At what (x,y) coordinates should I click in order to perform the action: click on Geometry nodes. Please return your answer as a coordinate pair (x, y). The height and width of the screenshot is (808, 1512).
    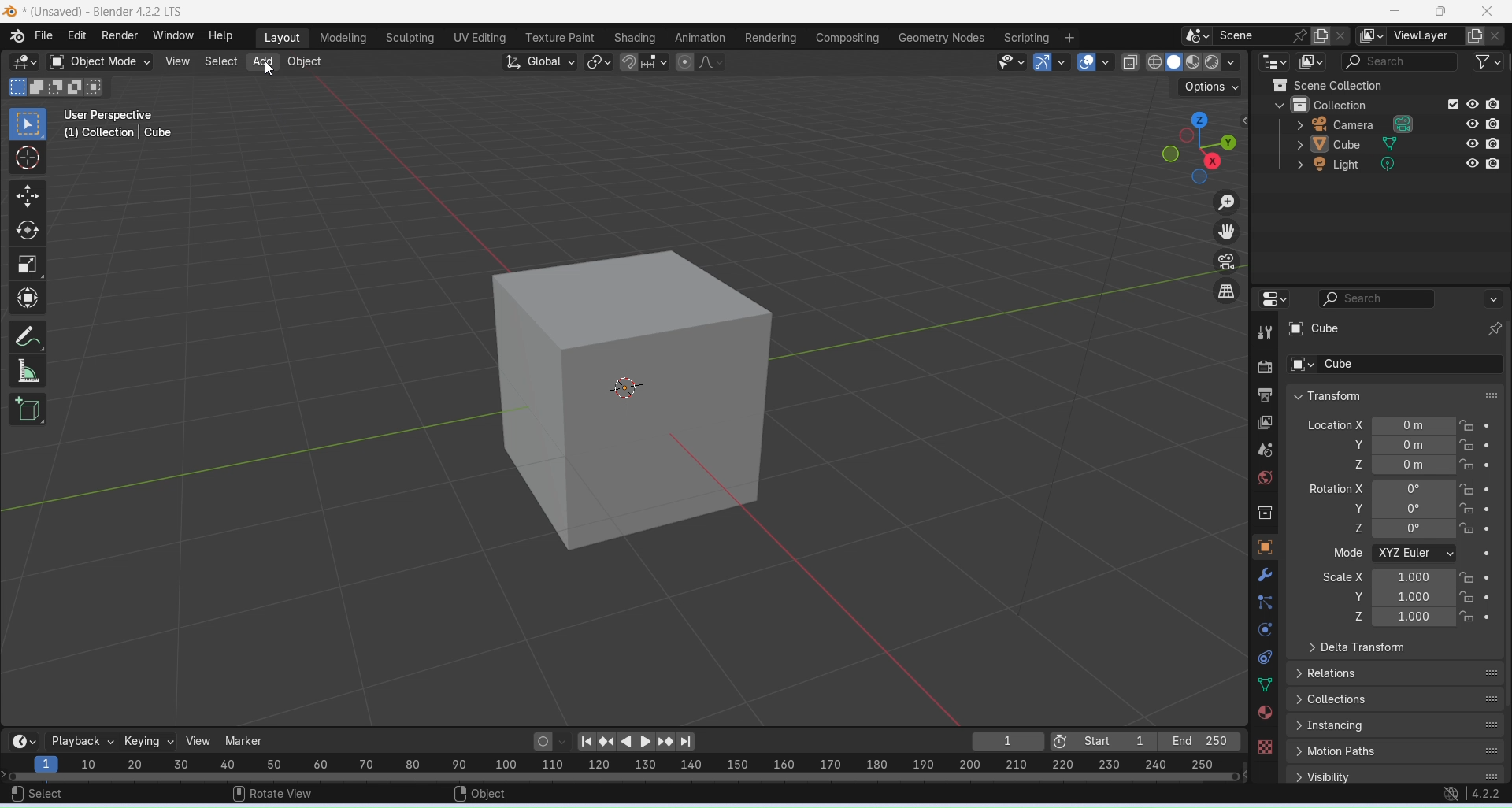
    Looking at the image, I should click on (943, 37).